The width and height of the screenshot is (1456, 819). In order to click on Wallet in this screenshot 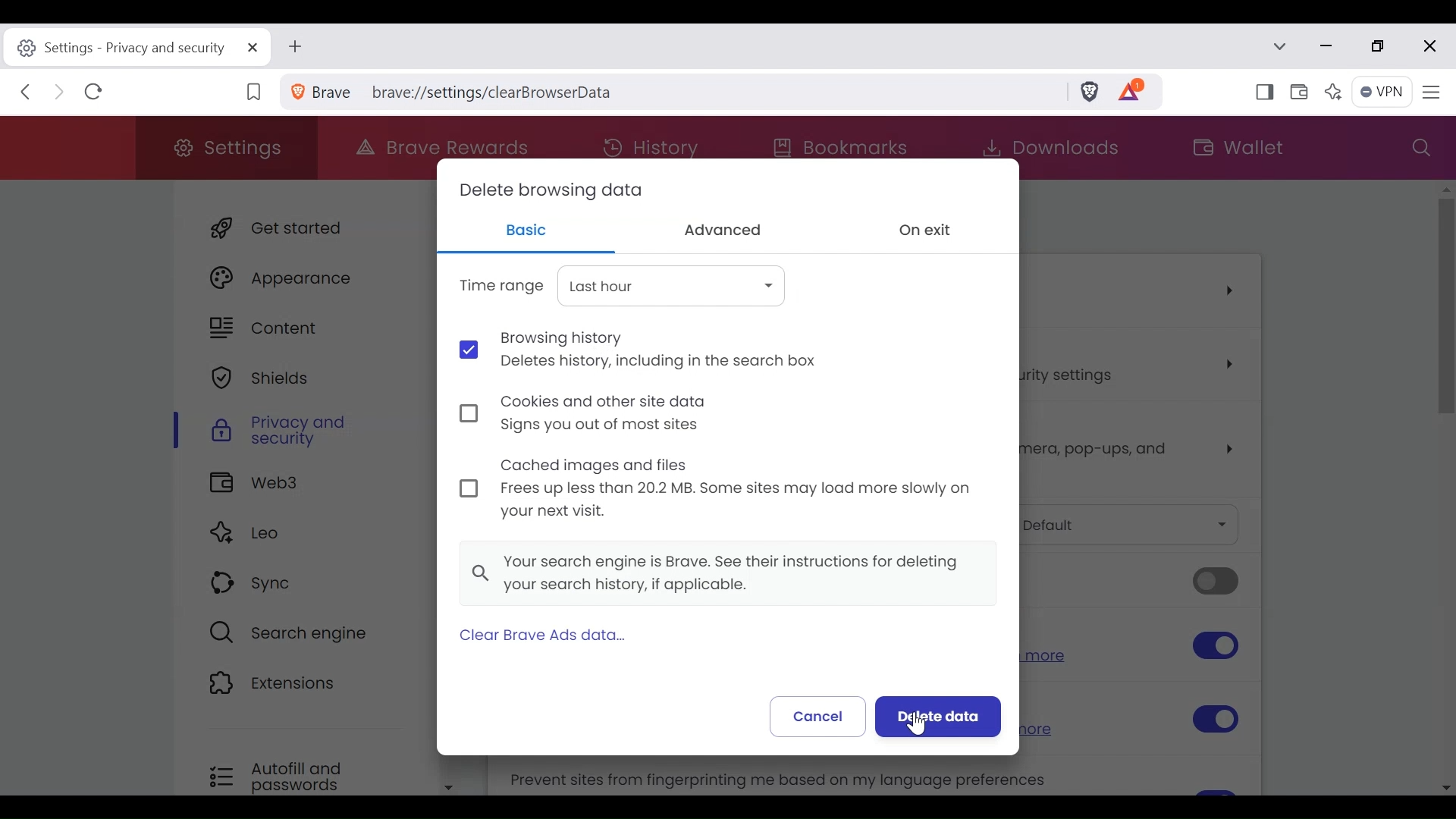, I will do `click(1238, 146)`.